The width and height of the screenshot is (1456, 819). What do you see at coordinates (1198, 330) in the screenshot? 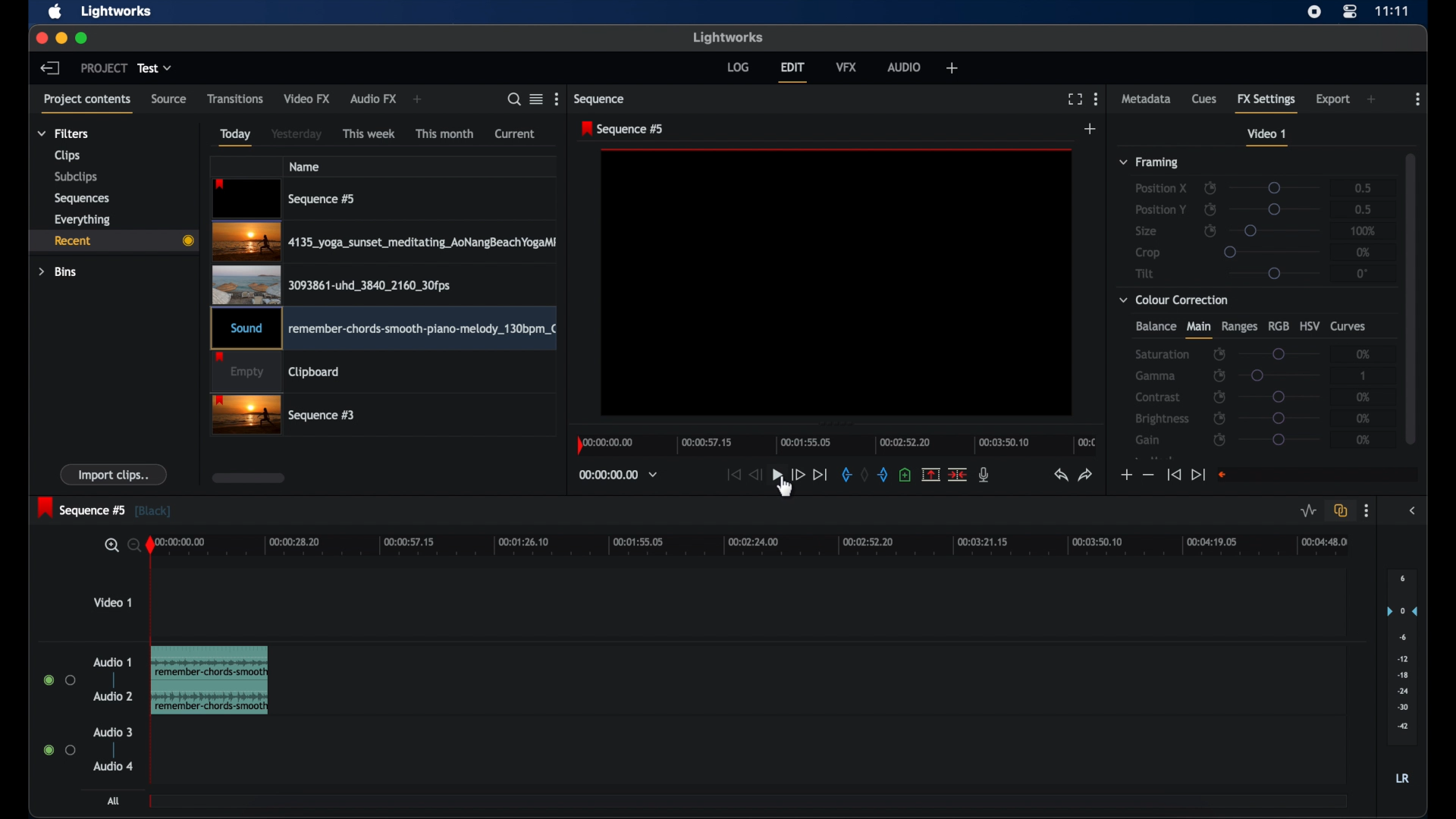
I see `main` at bounding box center [1198, 330].